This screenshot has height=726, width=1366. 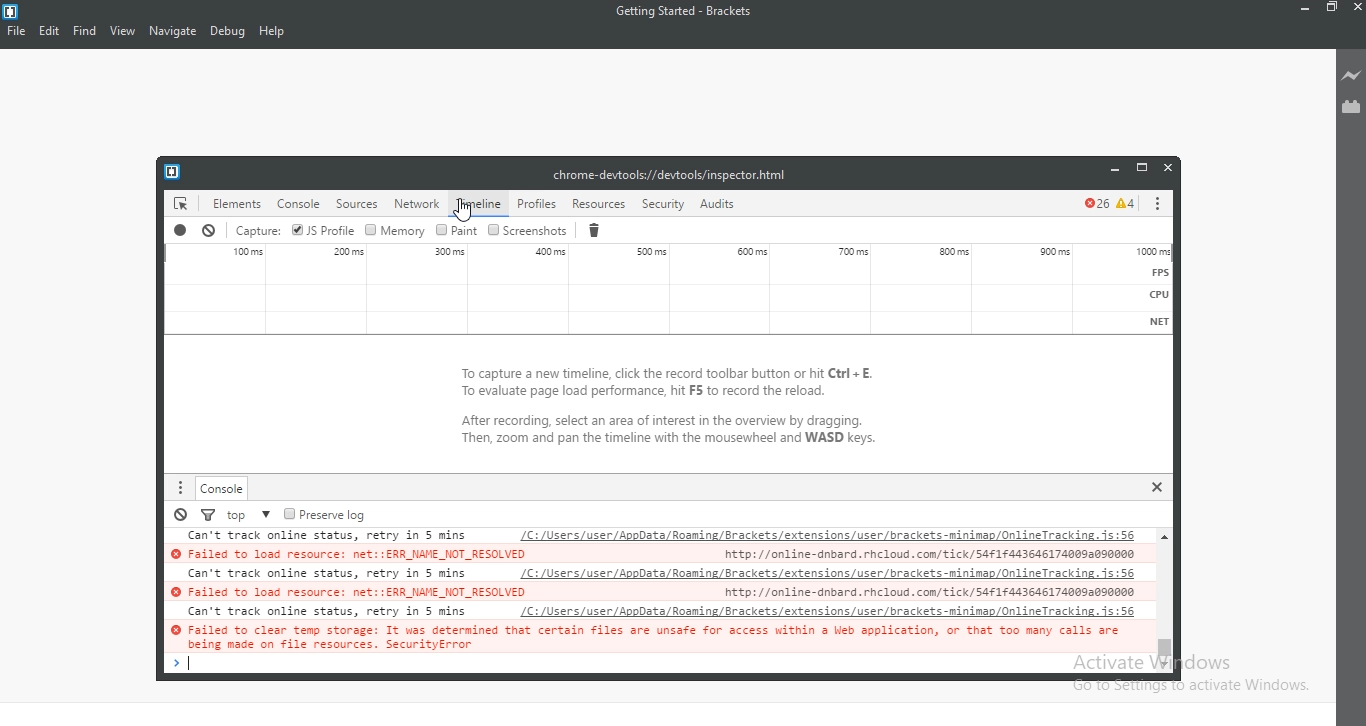 I want to click on Edit, so click(x=50, y=31).